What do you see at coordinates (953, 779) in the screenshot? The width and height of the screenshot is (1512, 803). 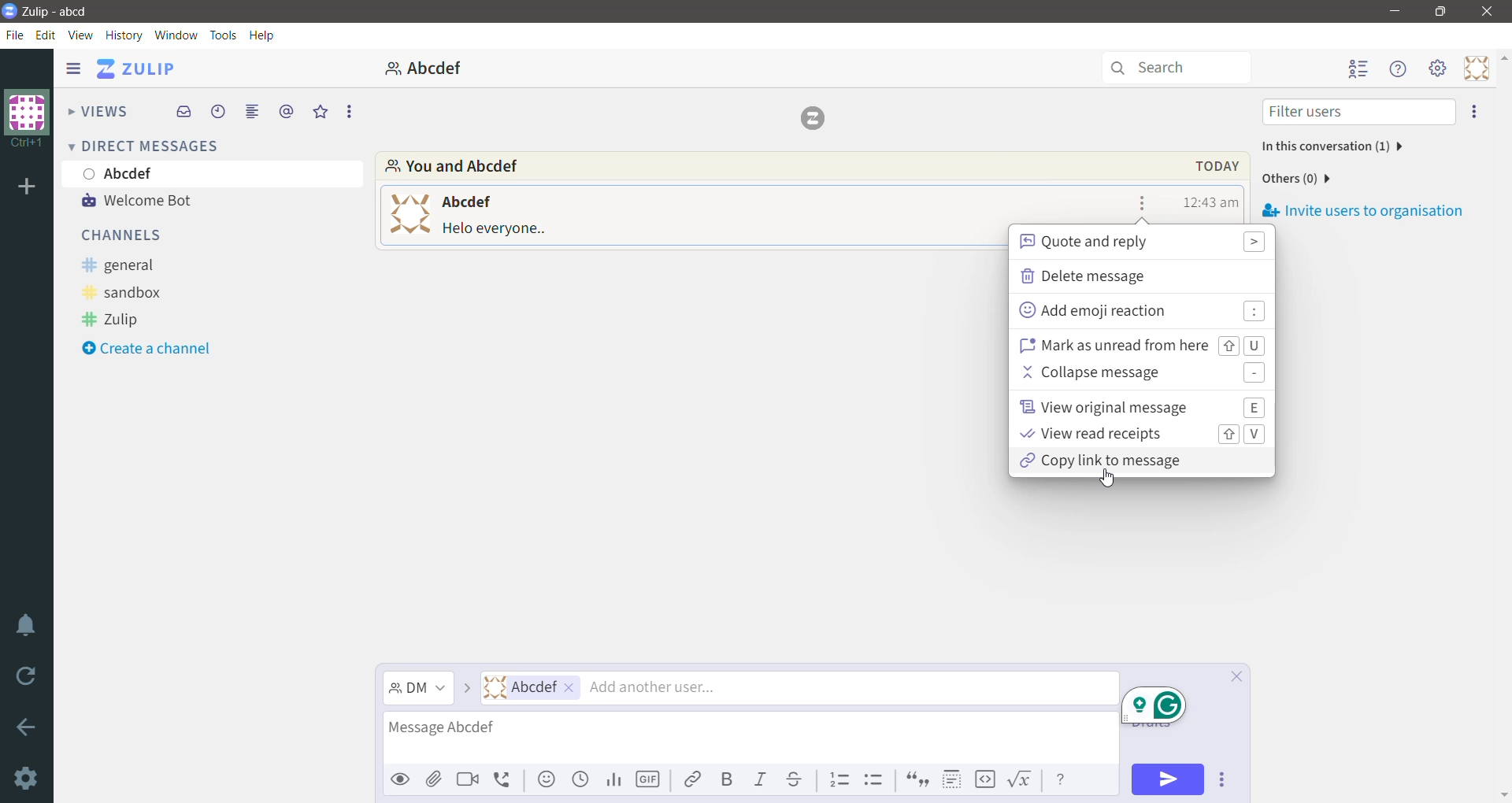 I see `Spoiler` at bounding box center [953, 779].